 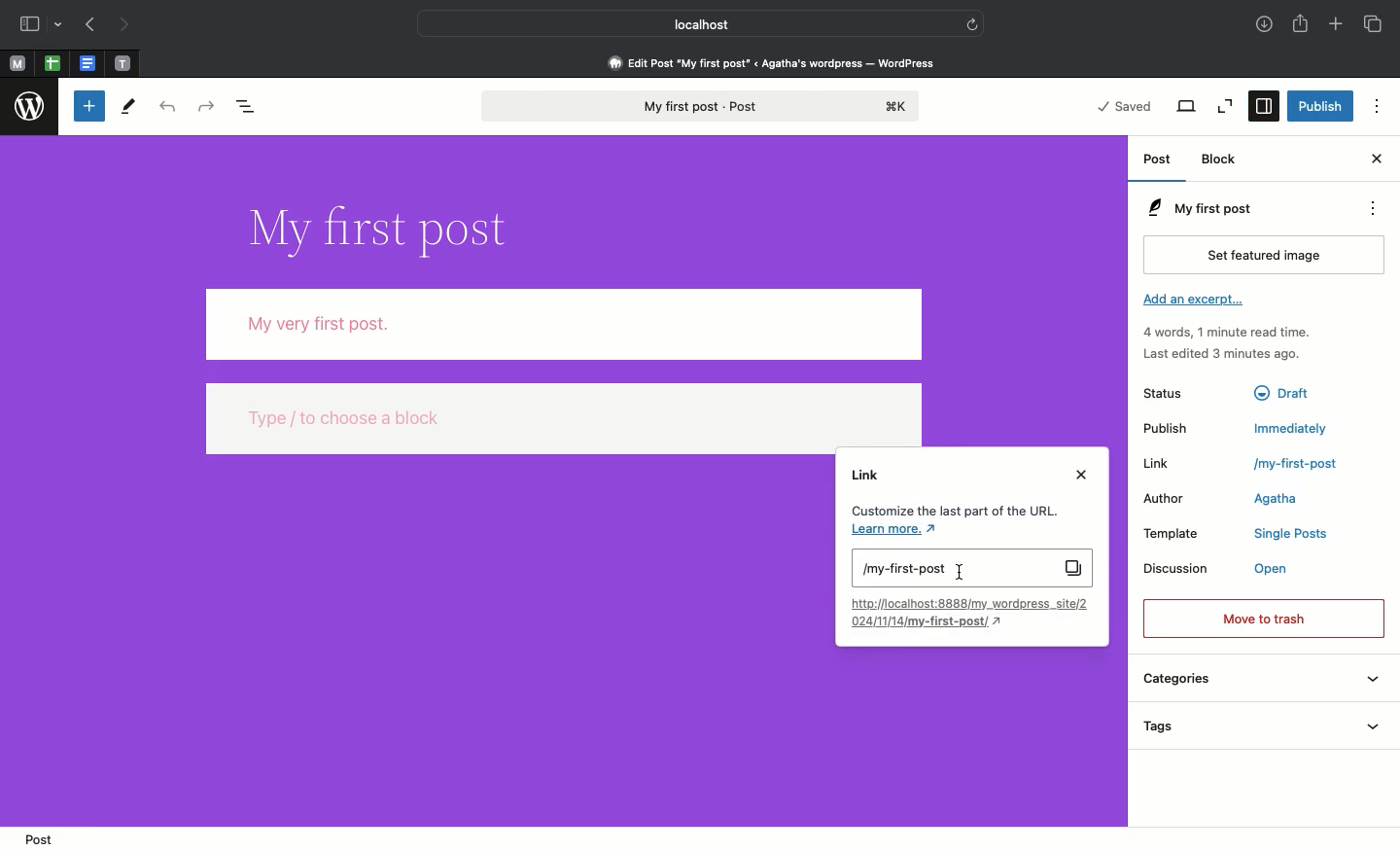 What do you see at coordinates (974, 23) in the screenshot?
I see `refresh` at bounding box center [974, 23].